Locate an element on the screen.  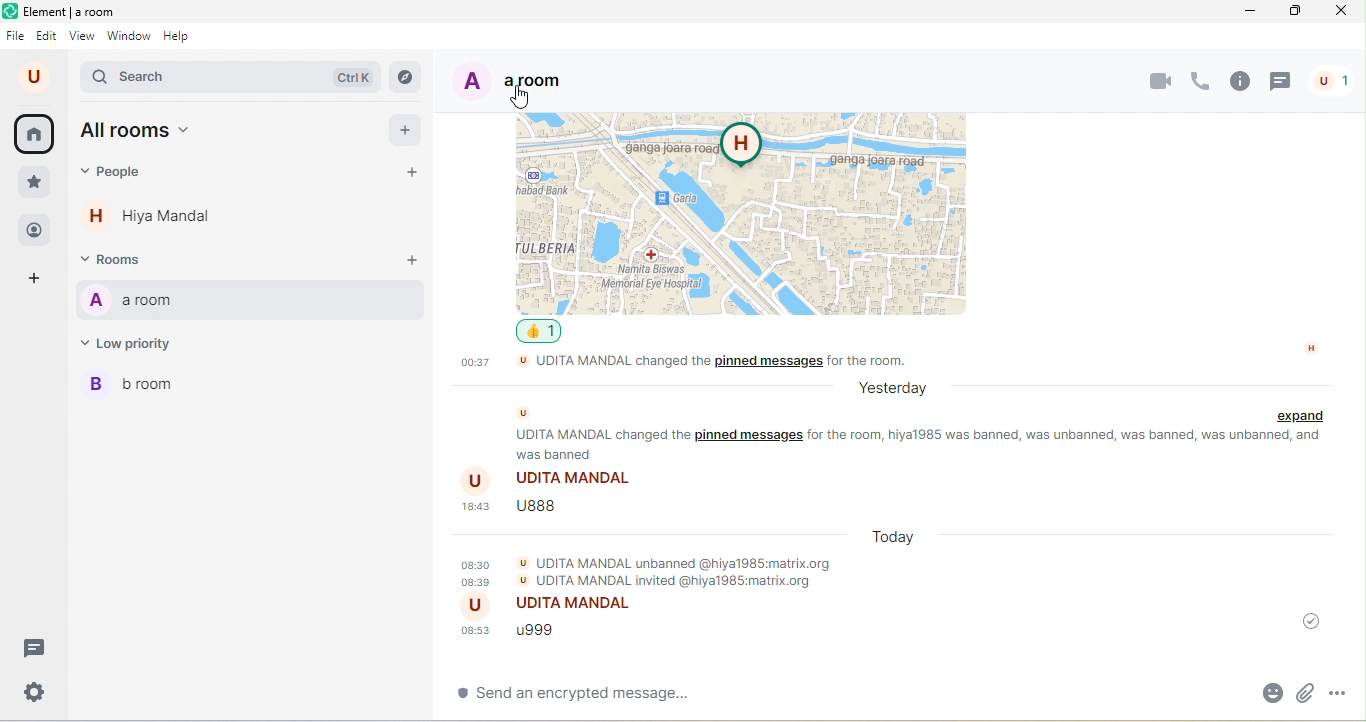
add is located at coordinates (406, 132).